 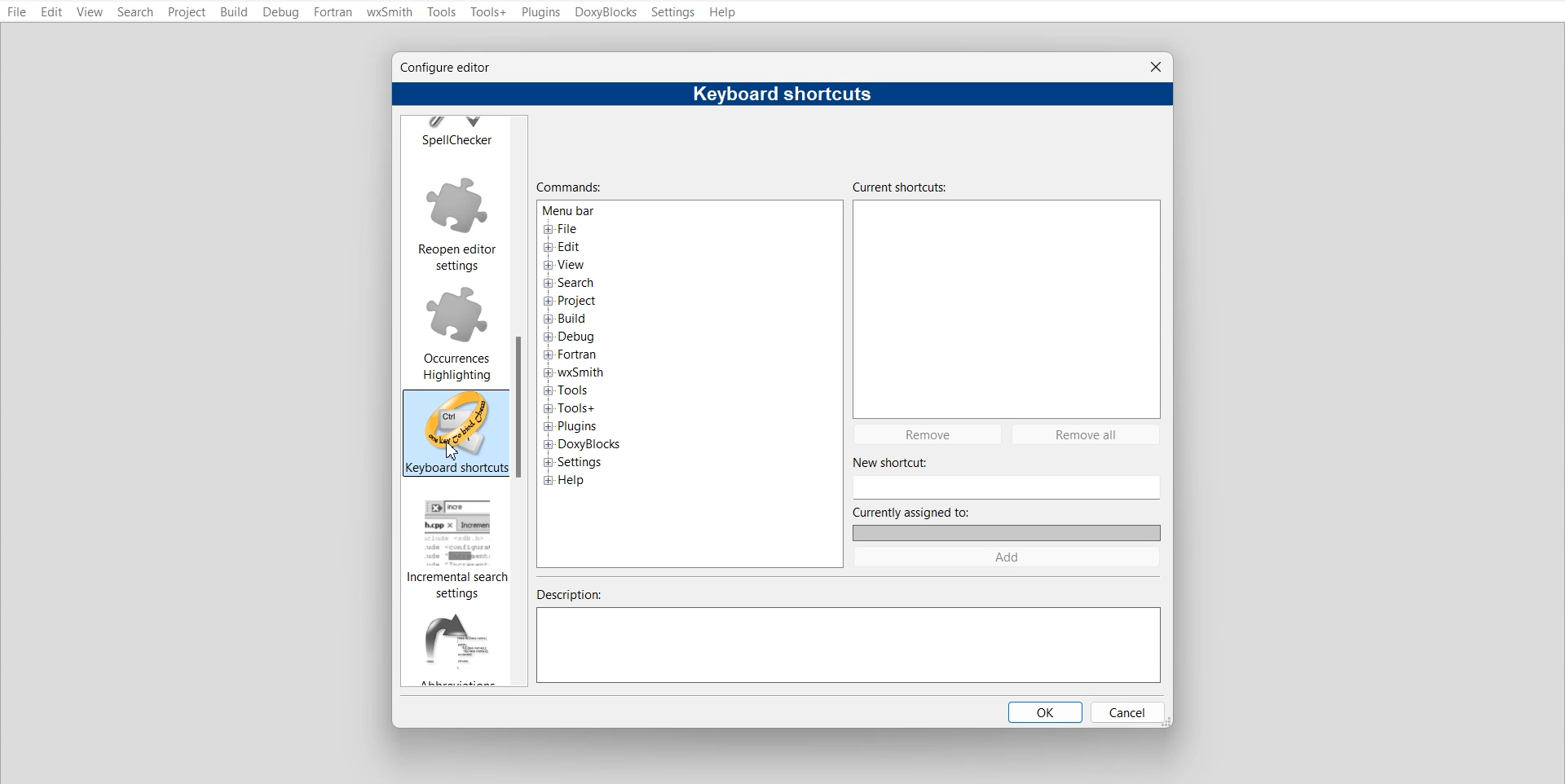 What do you see at coordinates (487, 12) in the screenshot?
I see `Tools+` at bounding box center [487, 12].